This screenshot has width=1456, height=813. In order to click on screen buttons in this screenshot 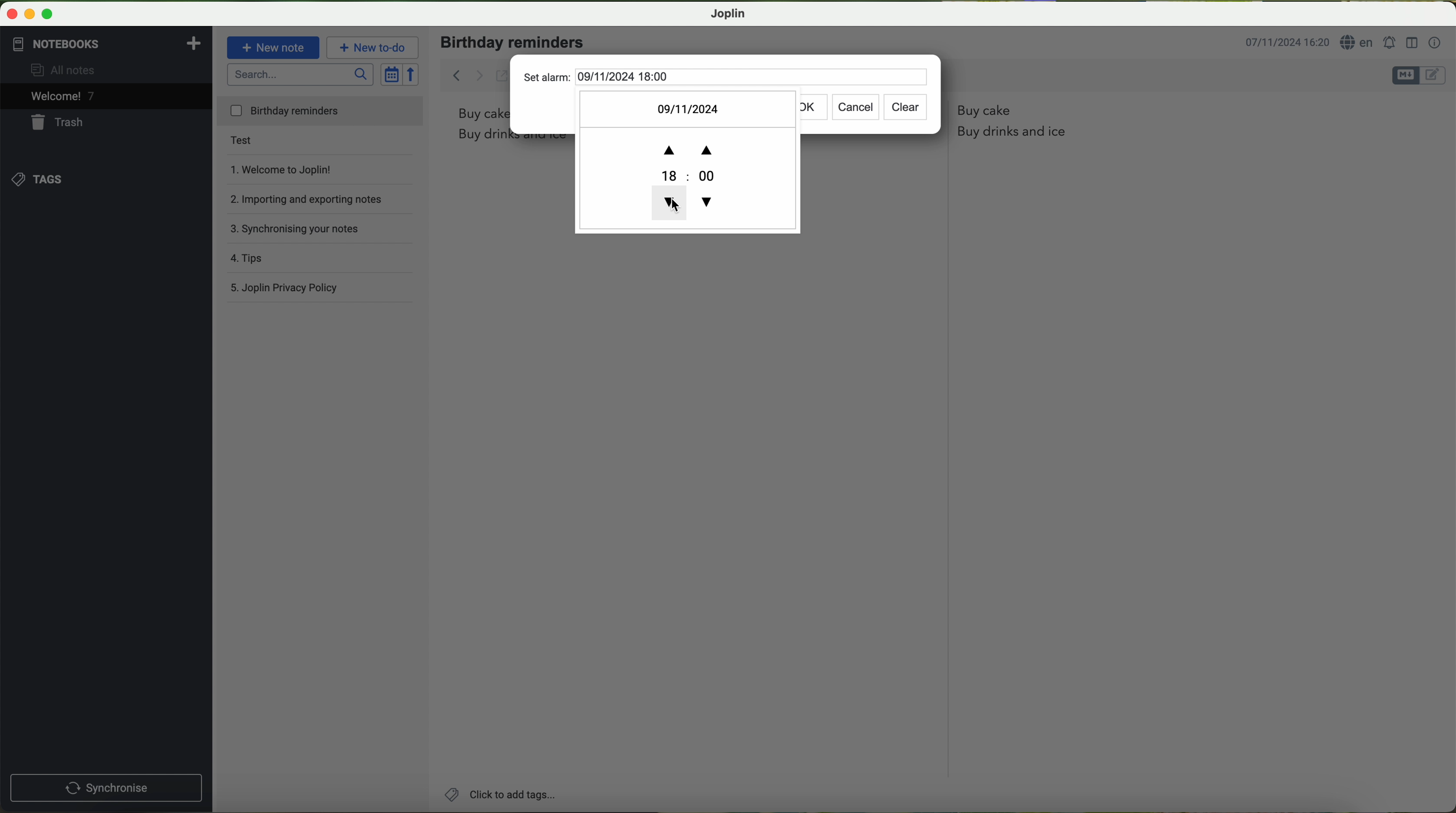, I will do `click(33, 13)`.